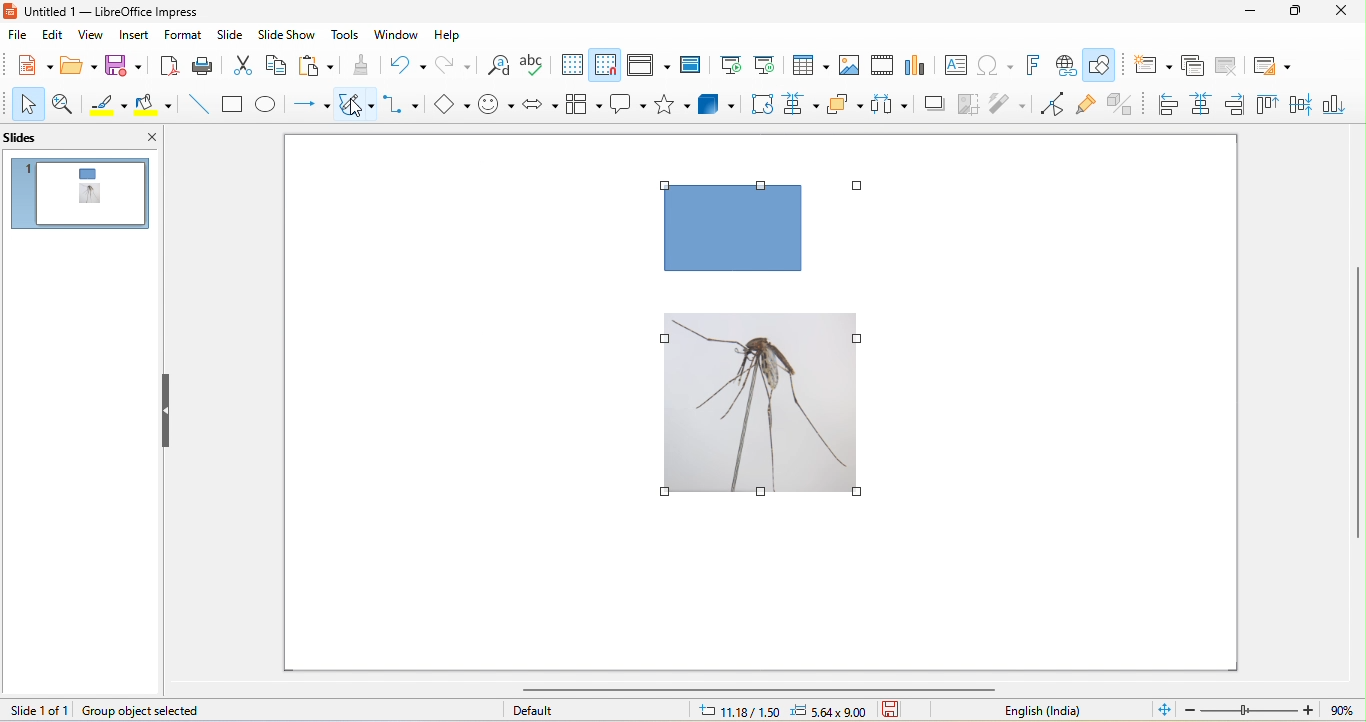  Describe the element at coordinates (1267, 107) in the screenshot. I see `top` at that location.